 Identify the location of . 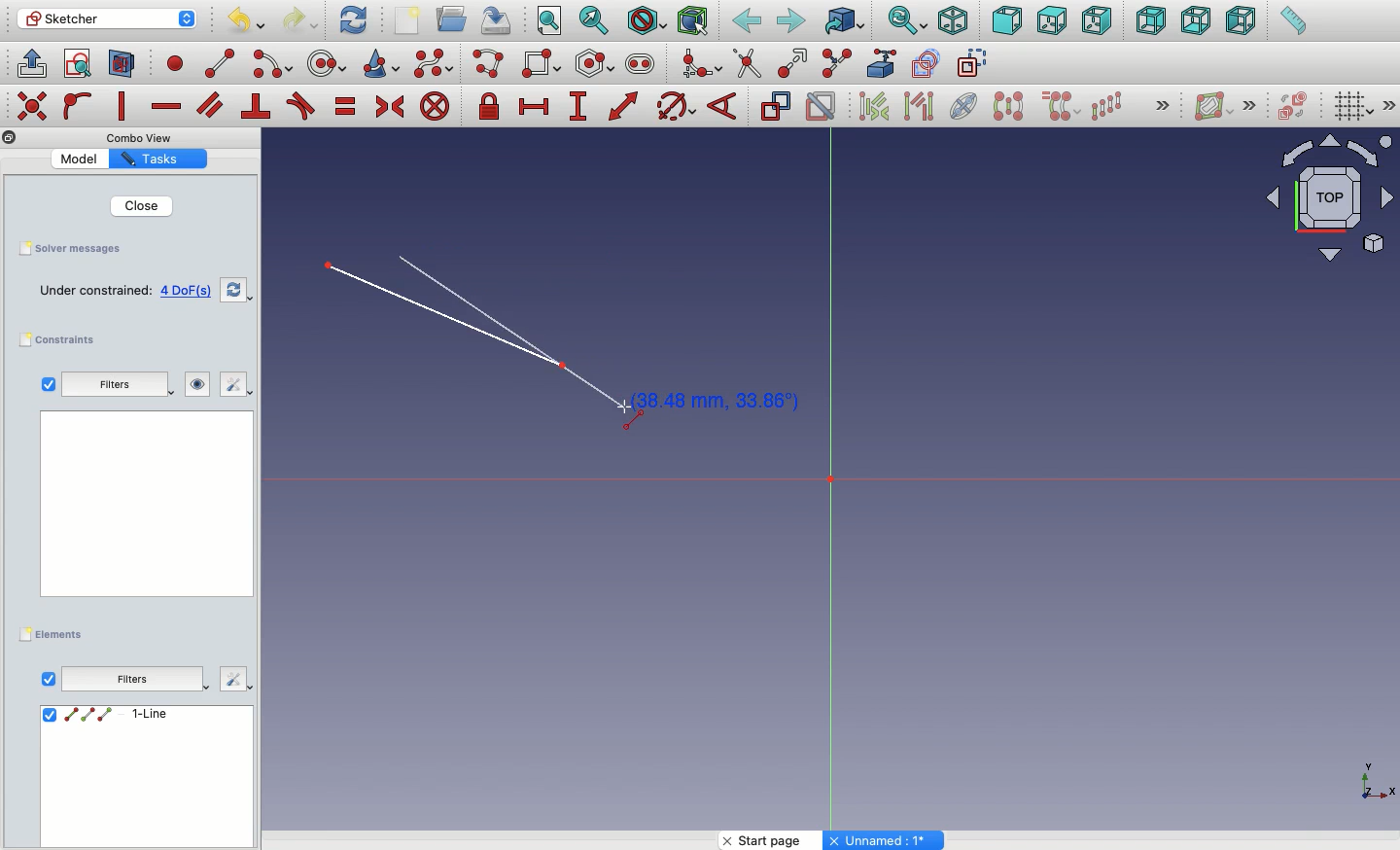
(1254, 104).